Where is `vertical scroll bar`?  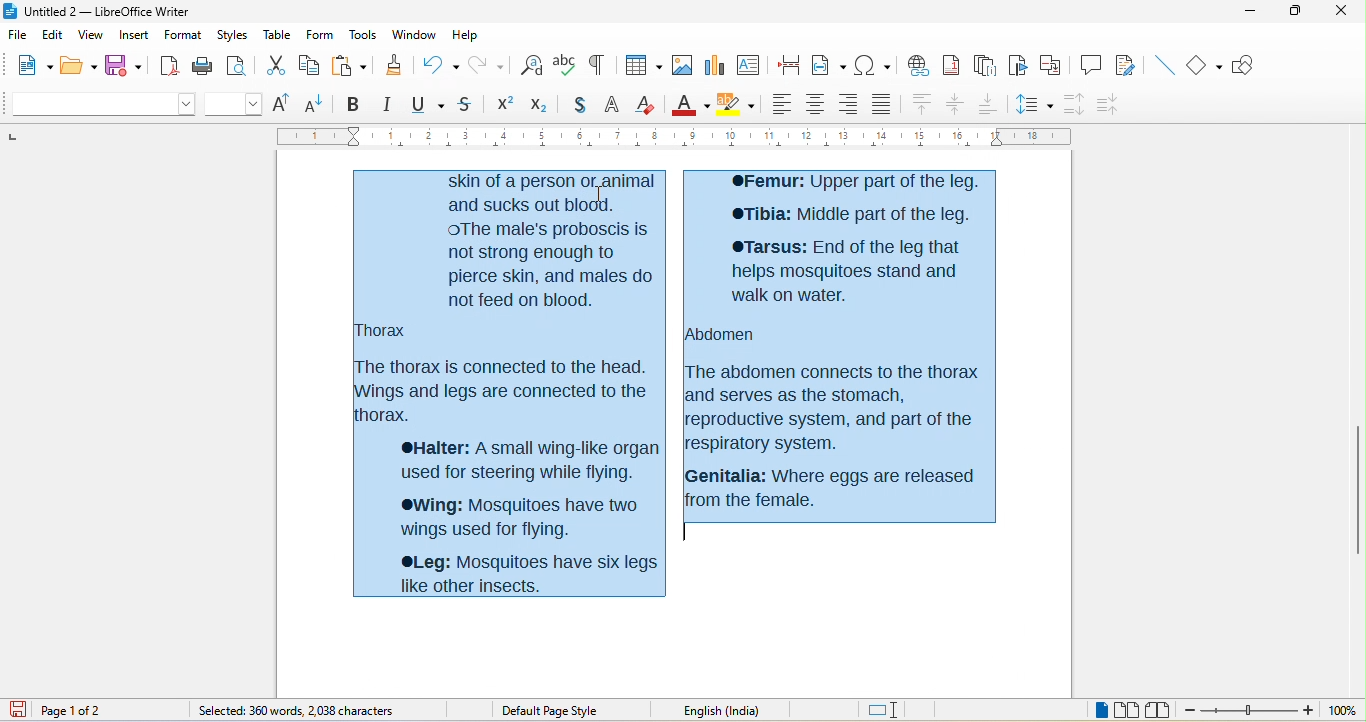 vertical scroll bar is located at coordinates (1357, 488).